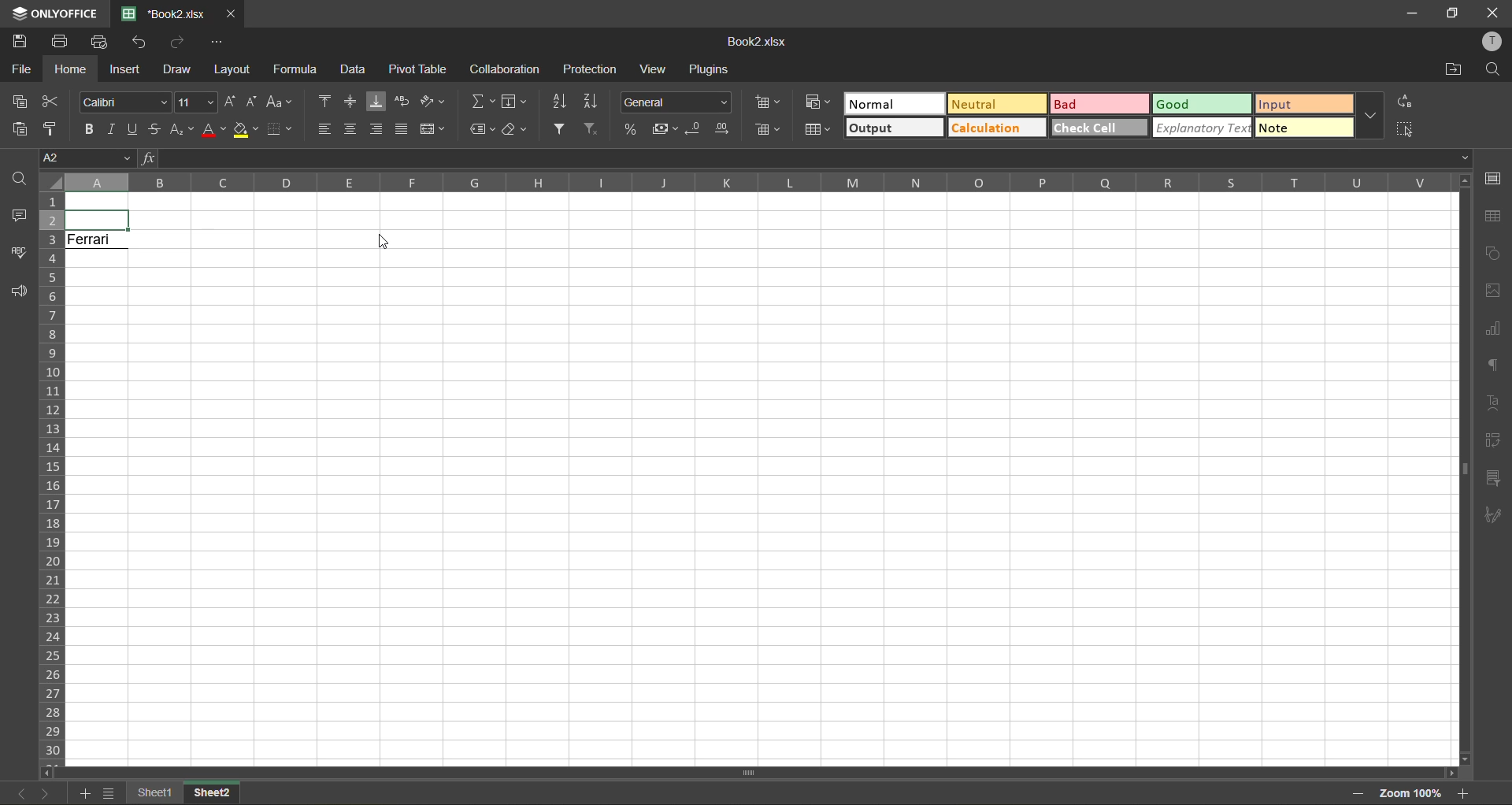 The image size is (1512, 805). What do you see at coordinates (177, 41) in the screenshot?
I see `redo` at bounding box center [177, 41].